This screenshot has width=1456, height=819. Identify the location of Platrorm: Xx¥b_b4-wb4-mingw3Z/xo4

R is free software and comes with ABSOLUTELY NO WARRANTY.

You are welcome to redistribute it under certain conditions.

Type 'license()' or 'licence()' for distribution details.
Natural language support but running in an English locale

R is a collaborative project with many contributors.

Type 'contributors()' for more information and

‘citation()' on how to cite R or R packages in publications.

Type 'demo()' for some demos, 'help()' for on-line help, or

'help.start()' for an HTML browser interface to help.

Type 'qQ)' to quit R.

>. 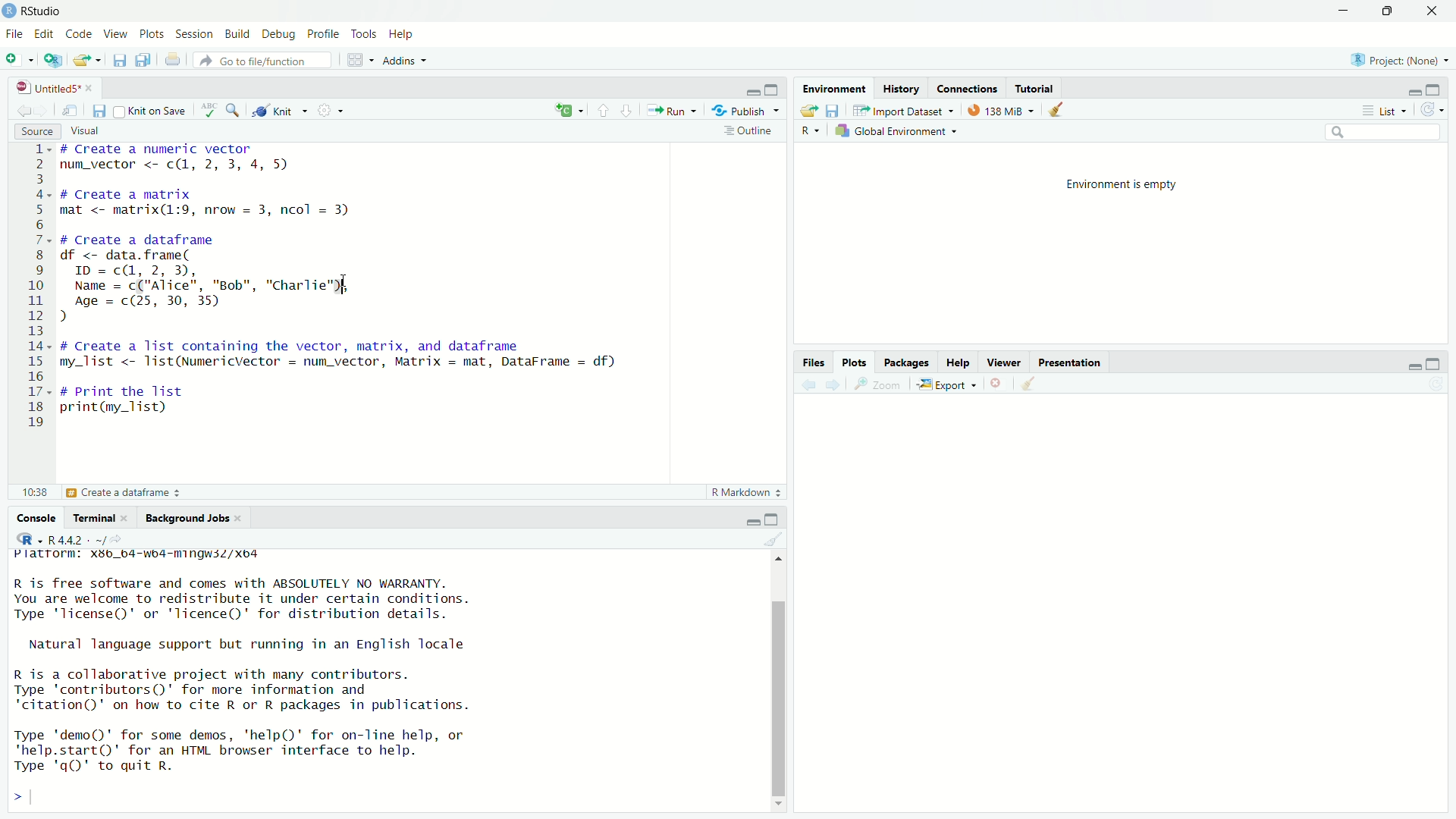
(285, 679).